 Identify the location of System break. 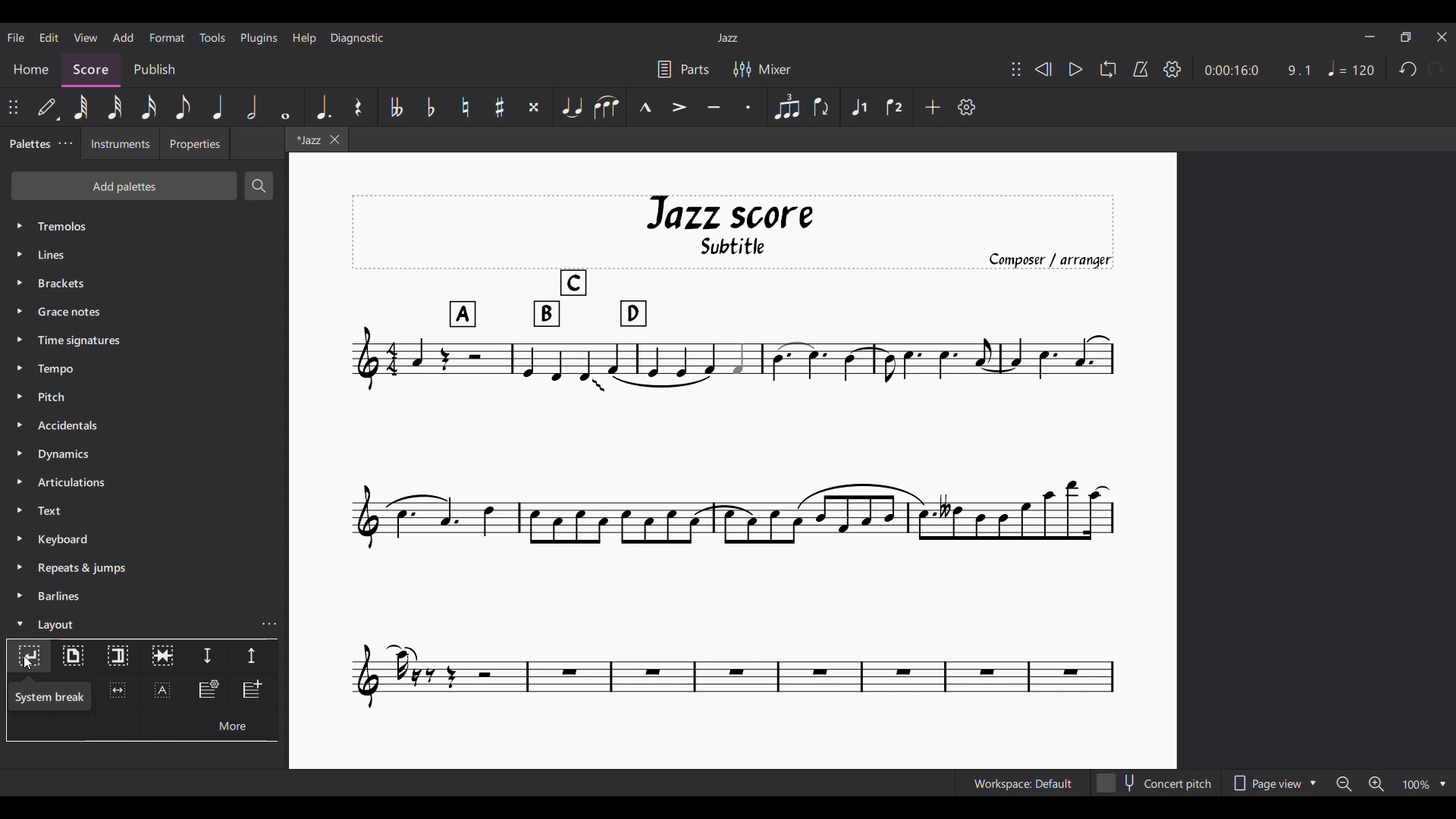
(50, 696).